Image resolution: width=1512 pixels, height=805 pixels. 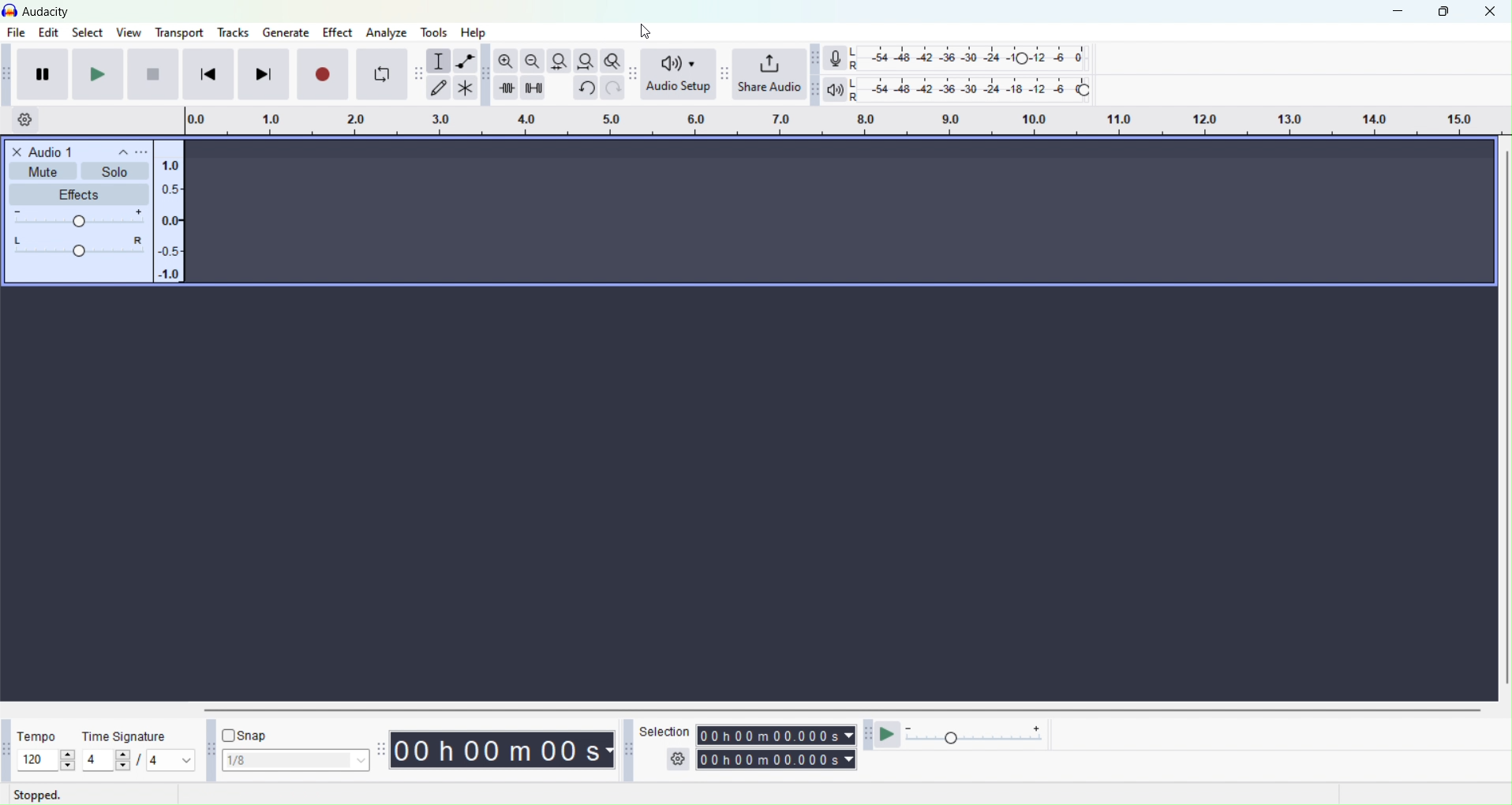 What do you see at coordinates (77, 194) in the screenshot?
I see `effects` at bounding box center [77, 194].